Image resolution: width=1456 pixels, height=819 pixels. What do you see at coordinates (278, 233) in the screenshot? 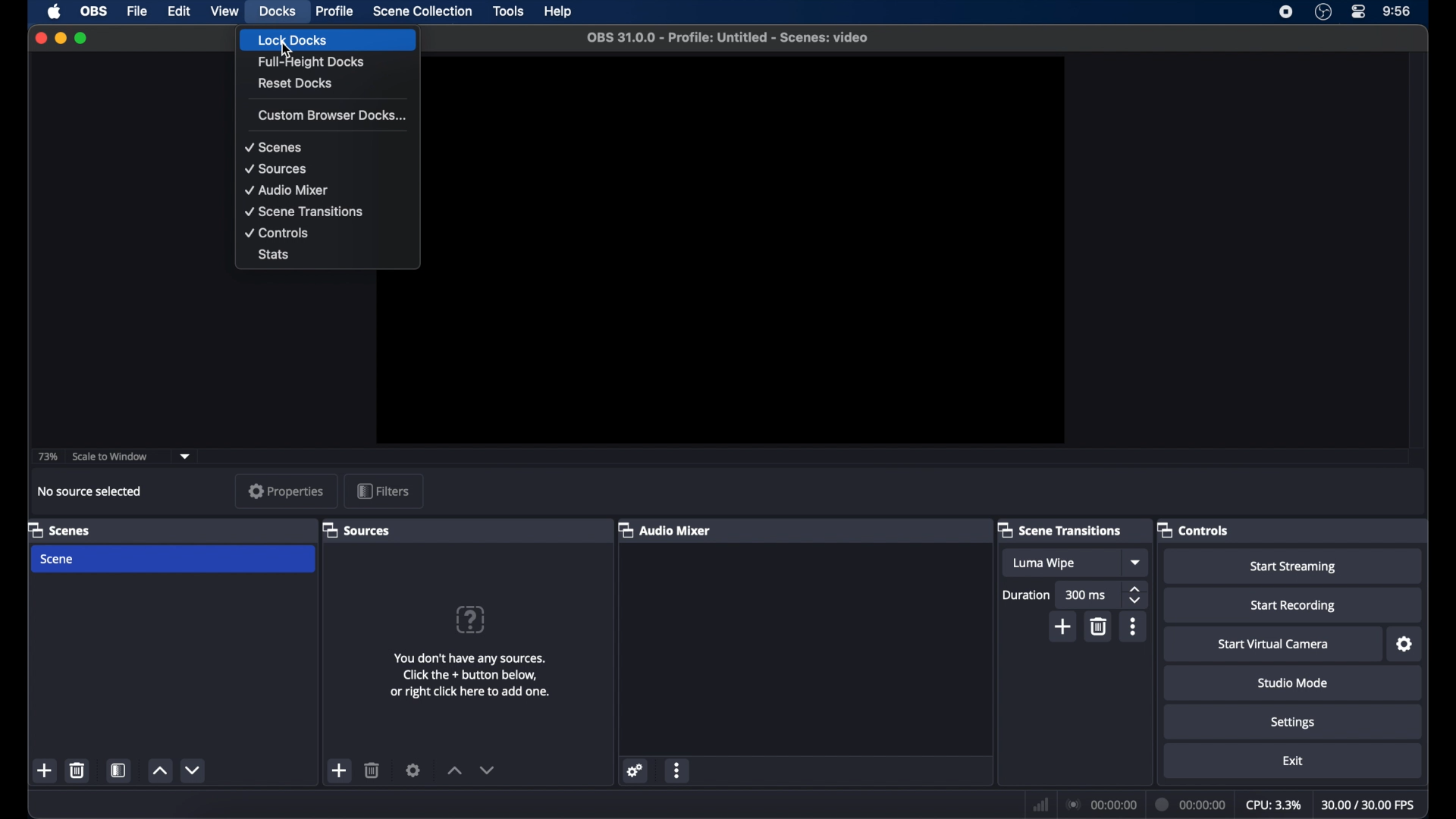
I see `controls` at bounding box center [278, 233].